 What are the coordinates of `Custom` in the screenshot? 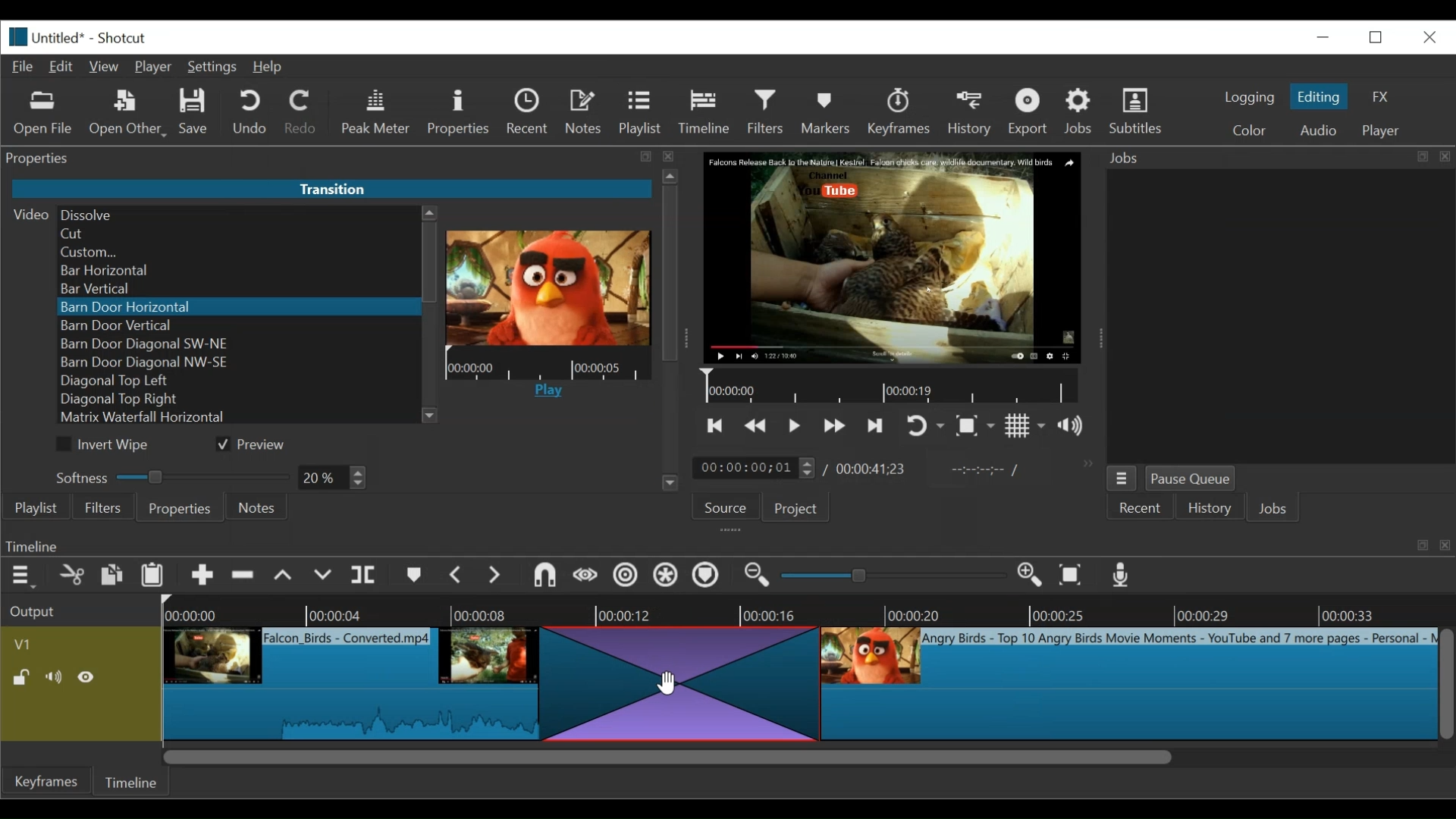 It's located at (235, 253).